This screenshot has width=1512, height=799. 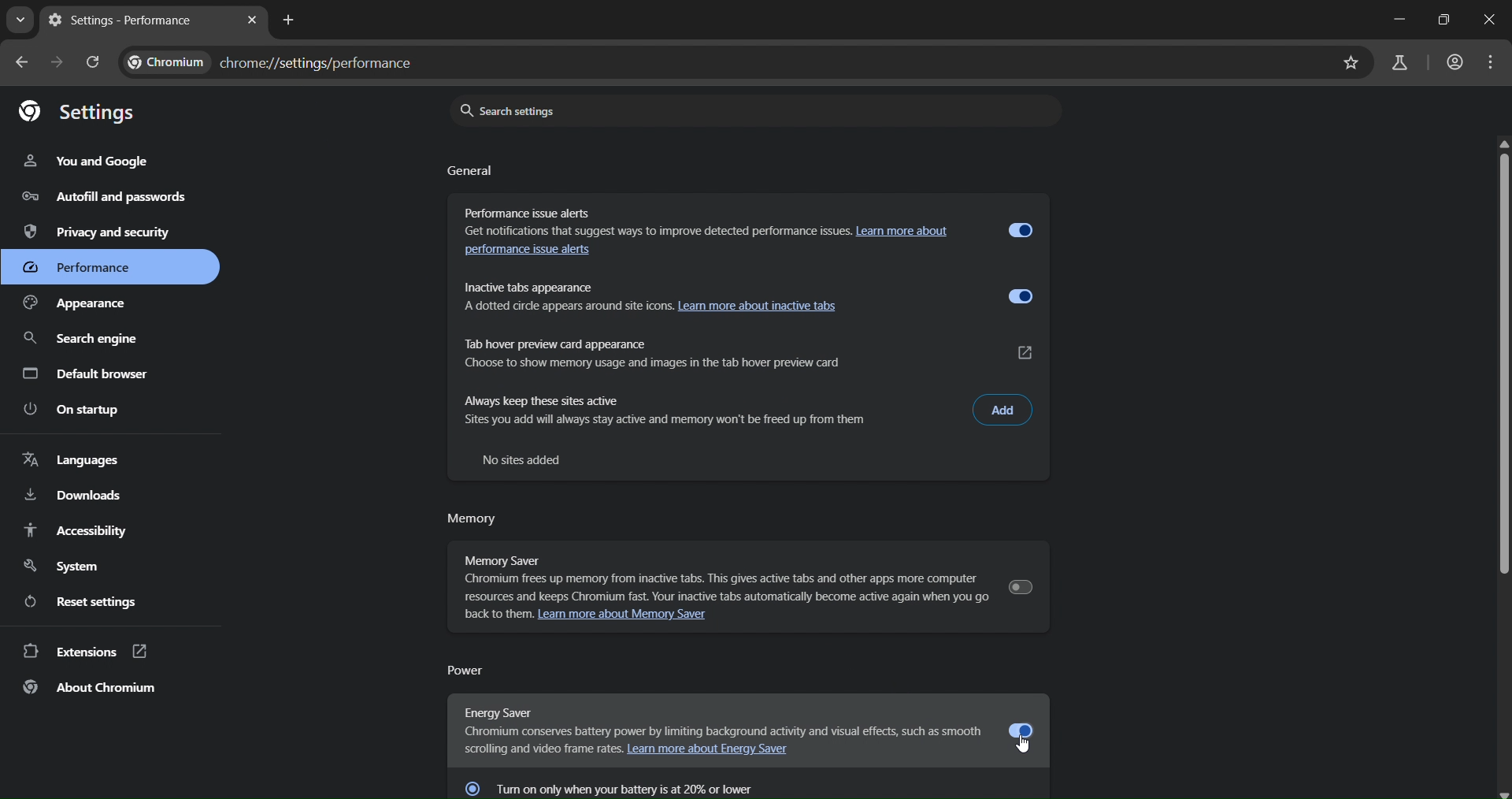 I want to click on reset settings, so click(x=87, y=600).